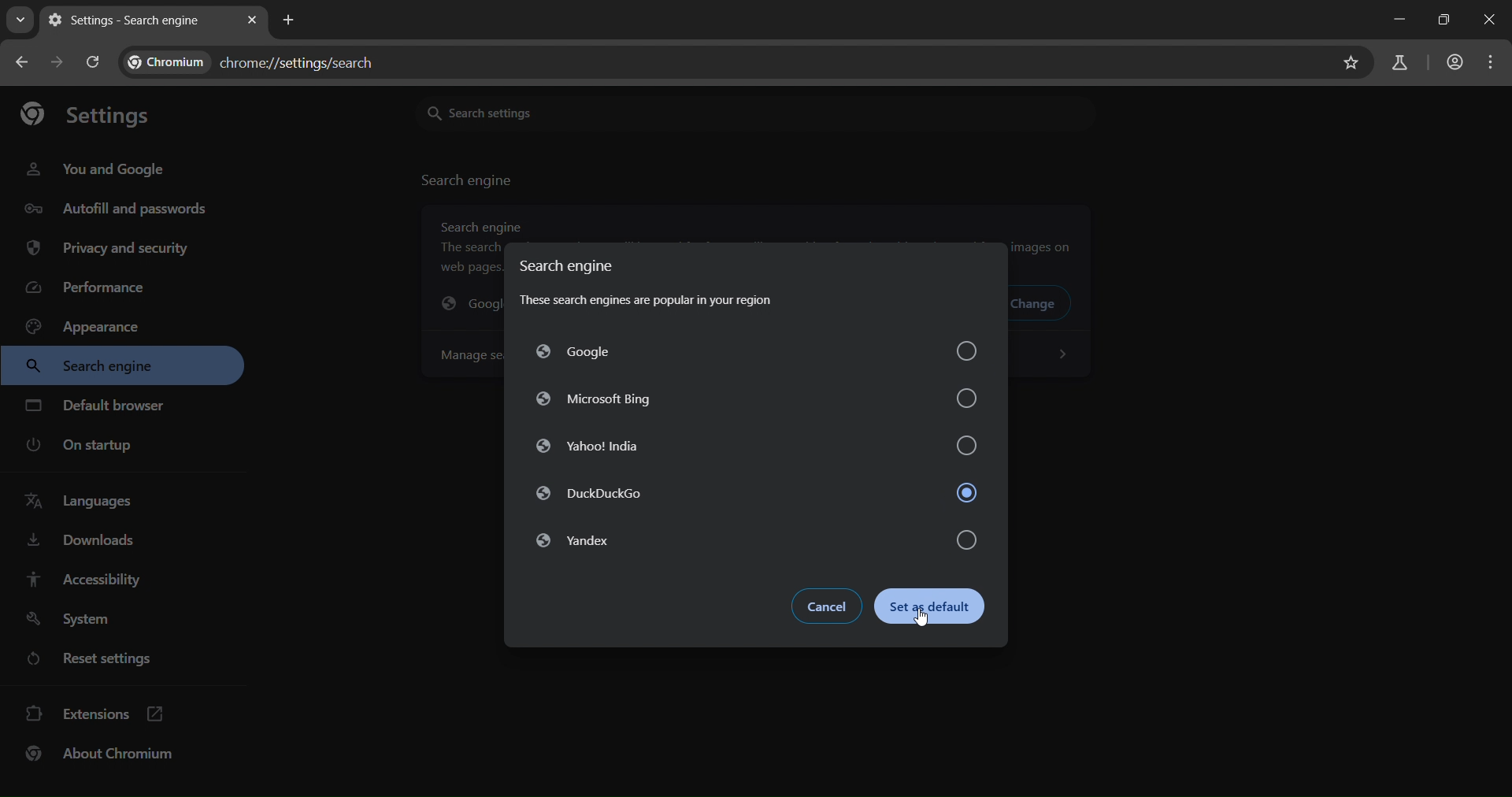  Describe the element at coordinates (96, 579) in the screenshot. I see `accessibility` at that location.